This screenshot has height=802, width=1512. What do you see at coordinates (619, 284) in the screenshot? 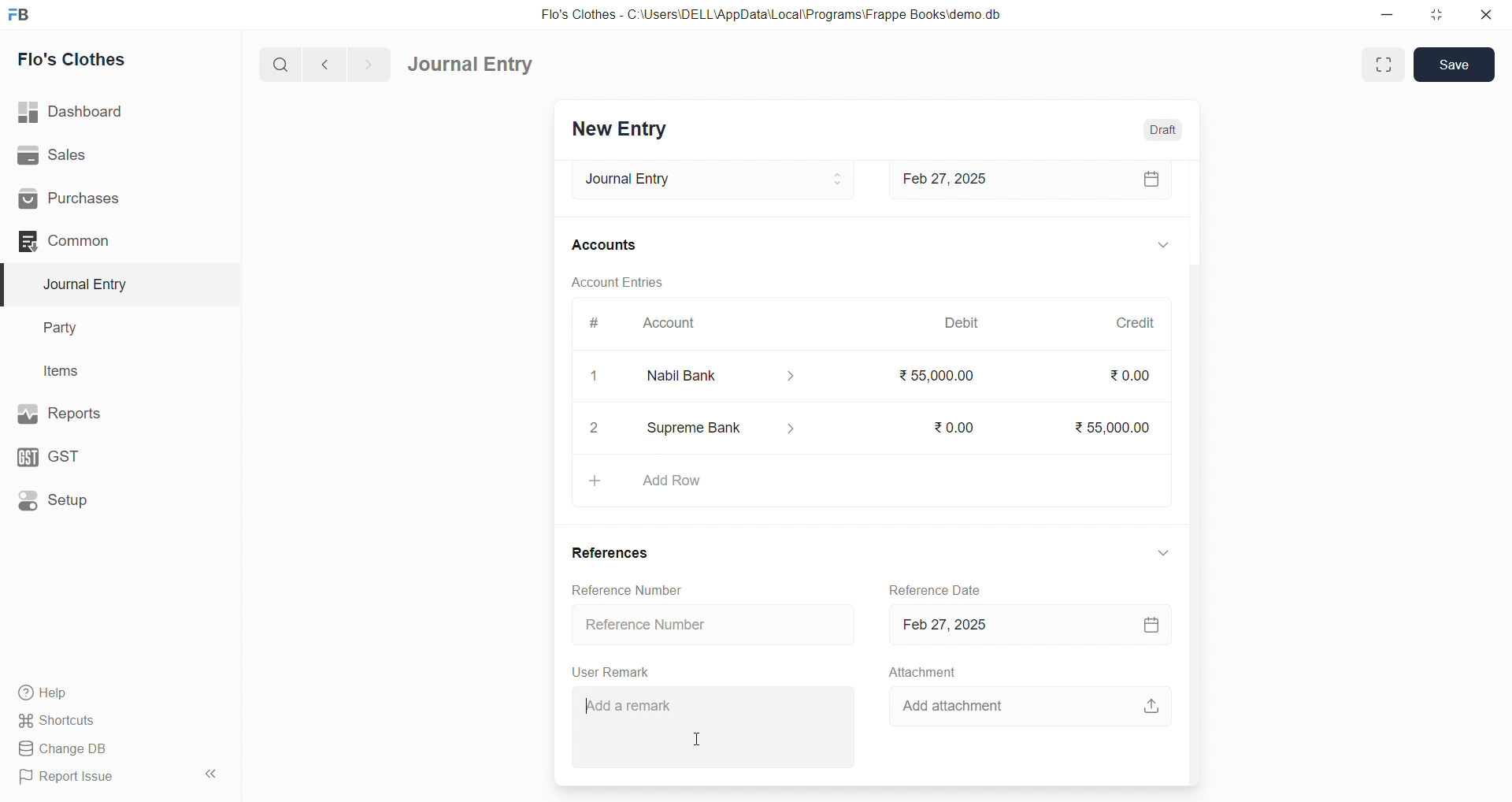
I see `Account Entries` at bounding box center [619, 284].